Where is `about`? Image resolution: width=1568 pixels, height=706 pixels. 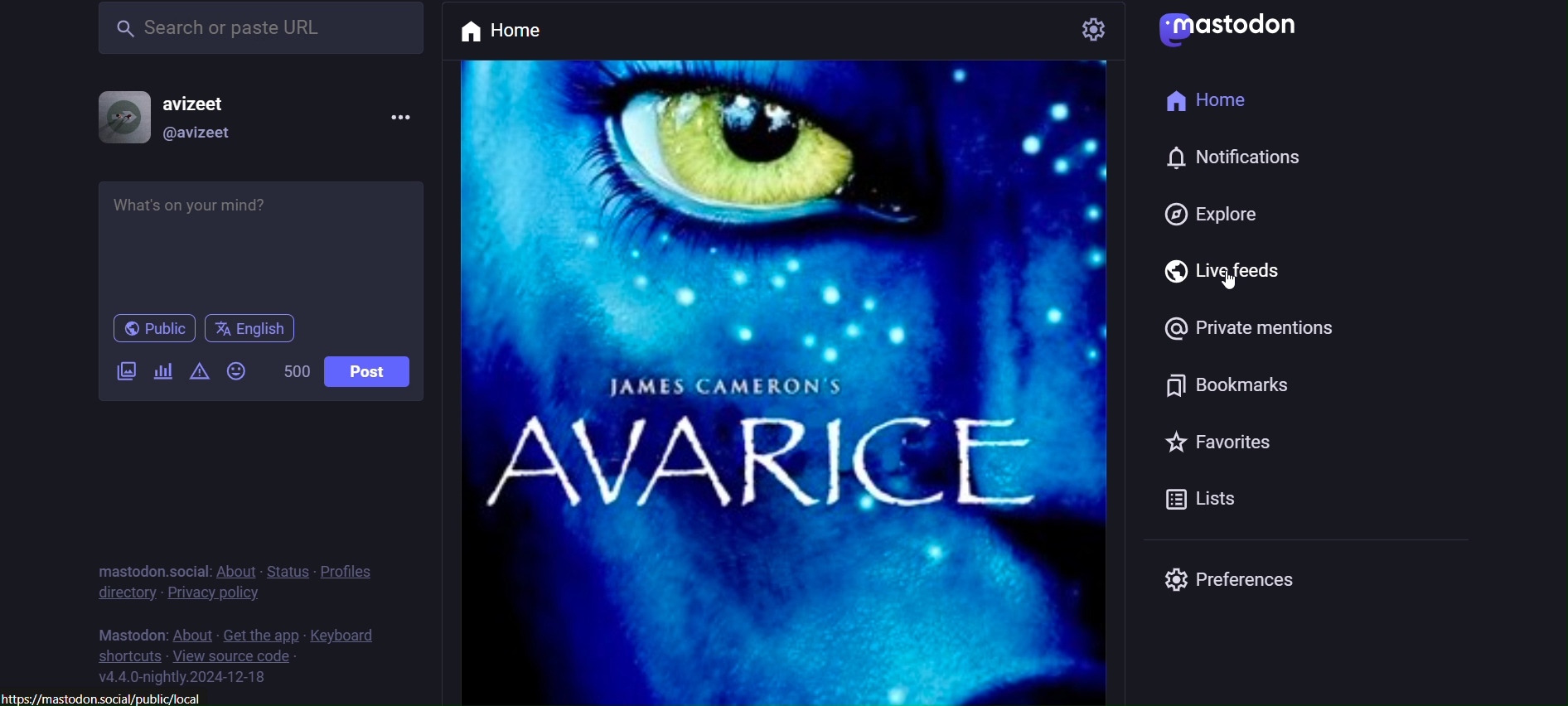
about is located at coordinates (188, 628).